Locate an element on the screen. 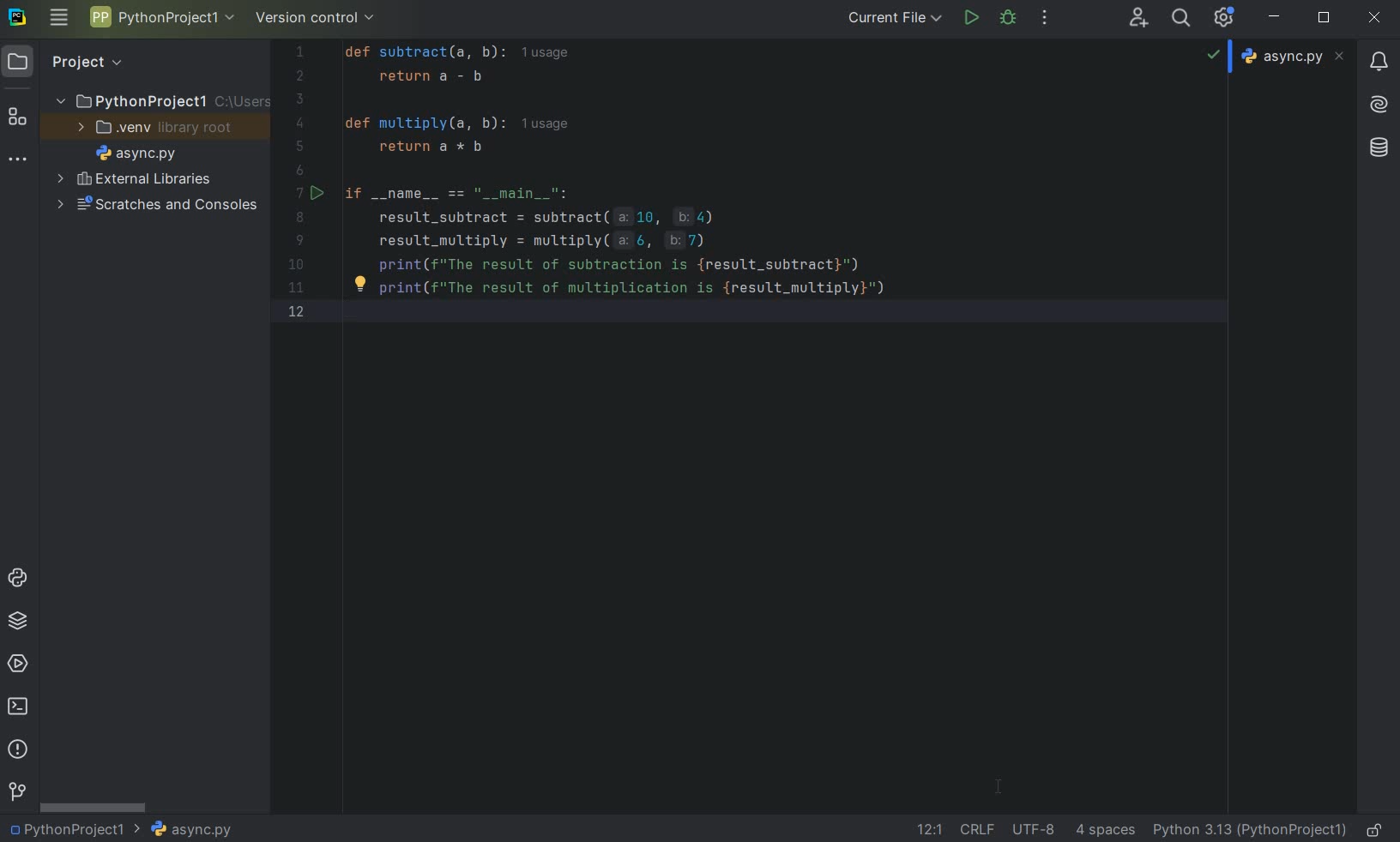 This screenshot has width=1400, height=842. Ide and Project Settings is located at coordinates (1227, 21).